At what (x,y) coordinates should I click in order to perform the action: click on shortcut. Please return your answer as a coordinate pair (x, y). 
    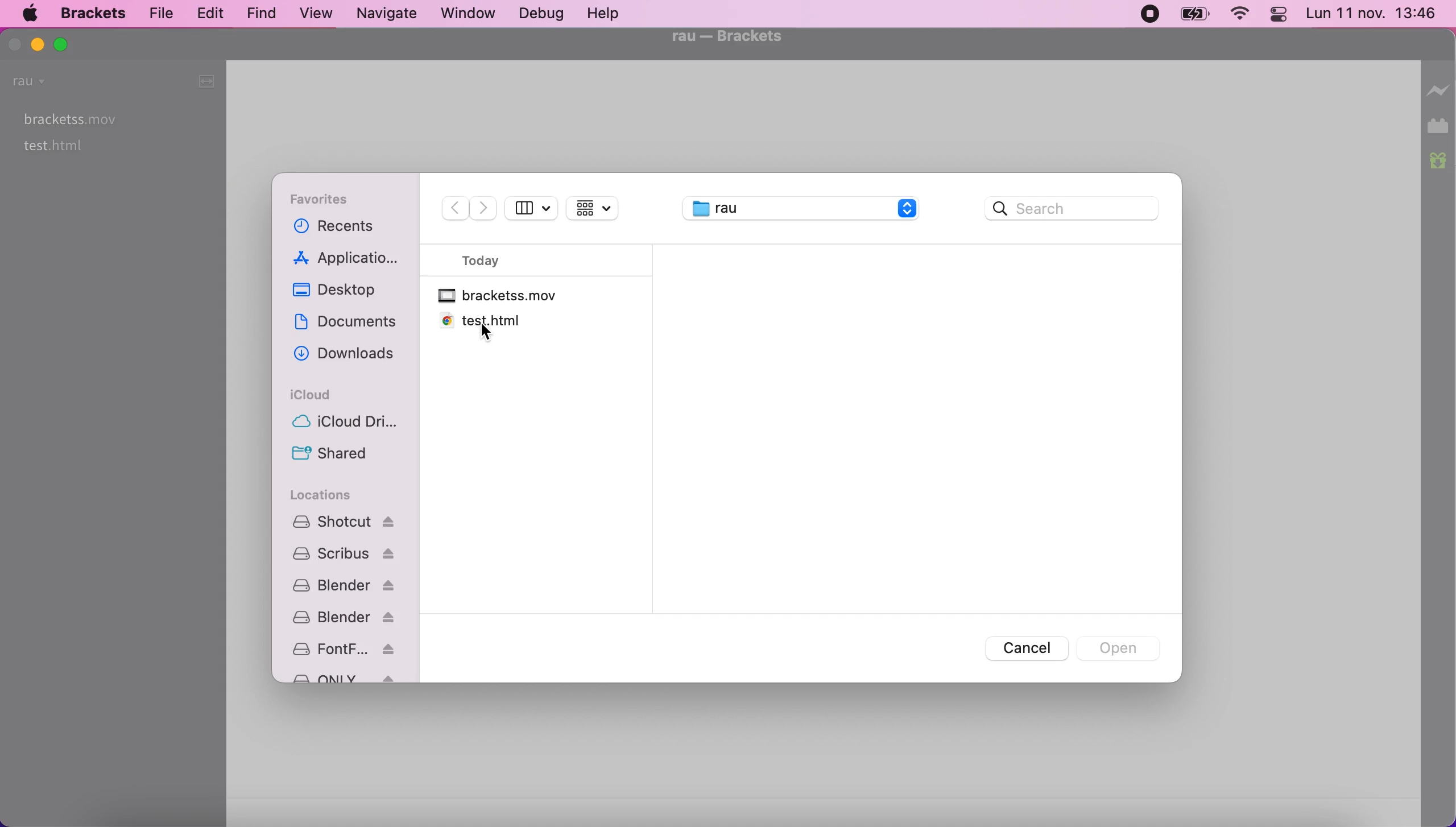
    Looking at the image, I should click on (348, 522).